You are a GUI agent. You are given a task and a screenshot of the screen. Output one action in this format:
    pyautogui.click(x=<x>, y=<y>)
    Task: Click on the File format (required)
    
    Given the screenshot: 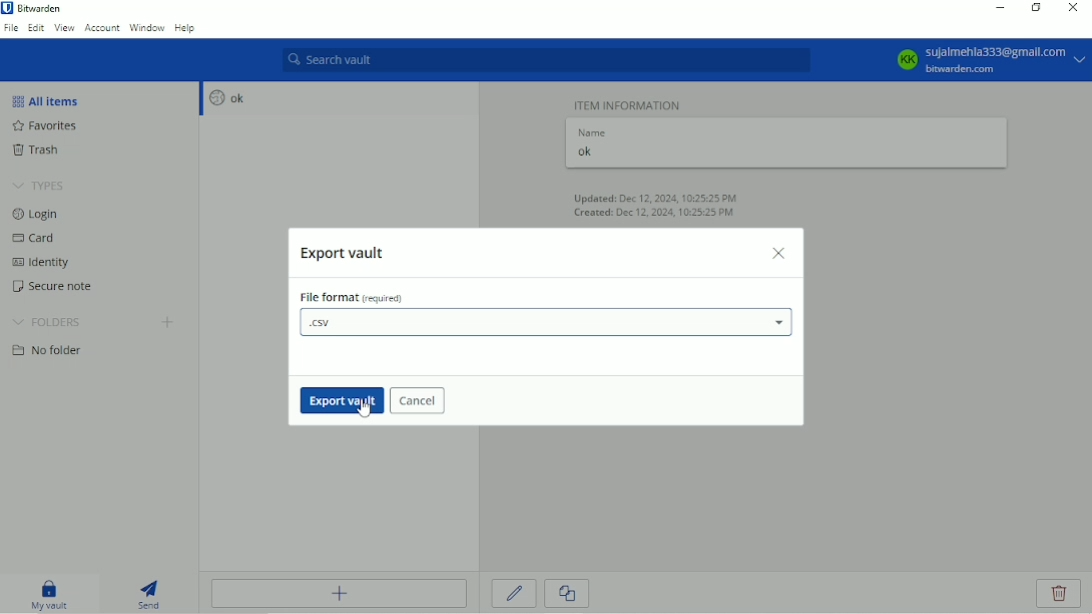 What is the action you would take?
    pyautogui.click(x=354, y=298)
    